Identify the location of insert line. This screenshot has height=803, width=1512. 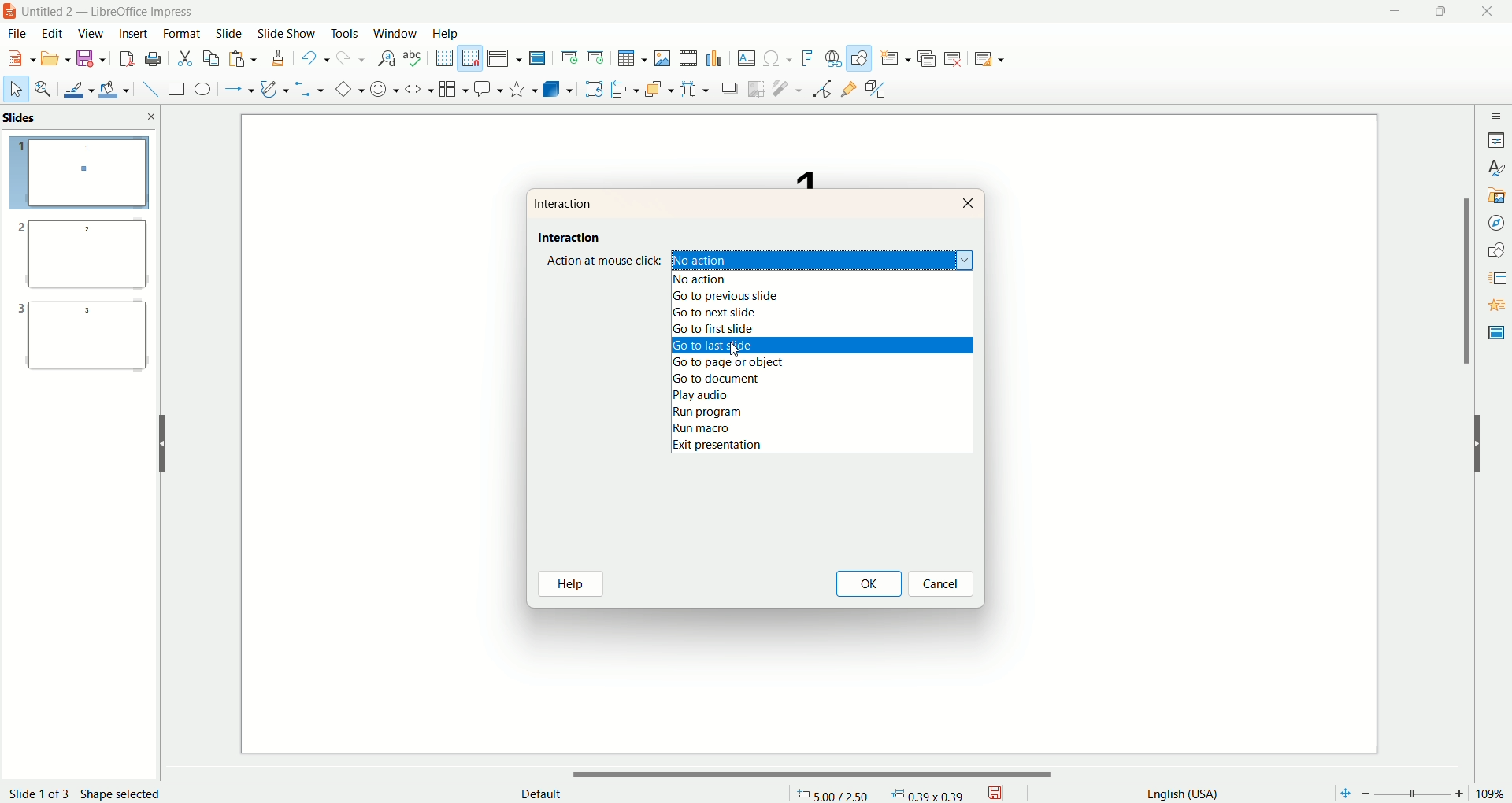
(145, 89).